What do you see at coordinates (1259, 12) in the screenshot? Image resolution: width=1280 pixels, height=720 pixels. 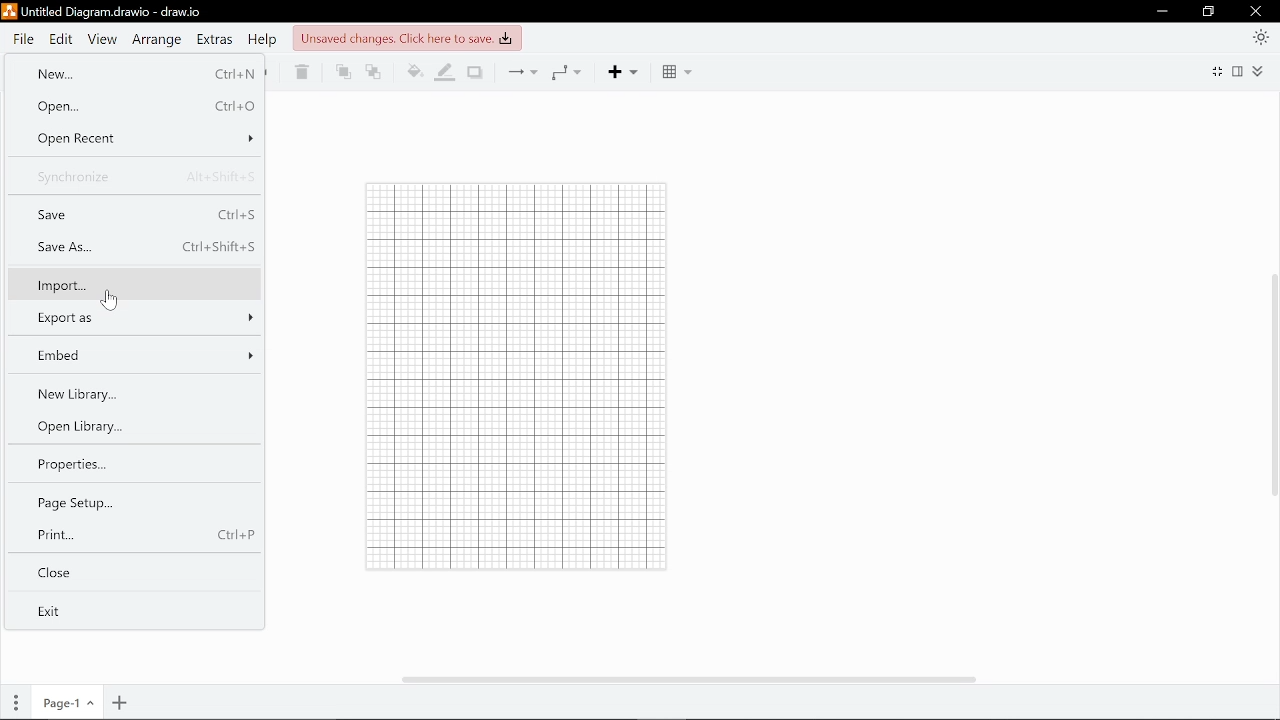 I see `Close` at bounding box center [1259, 12].